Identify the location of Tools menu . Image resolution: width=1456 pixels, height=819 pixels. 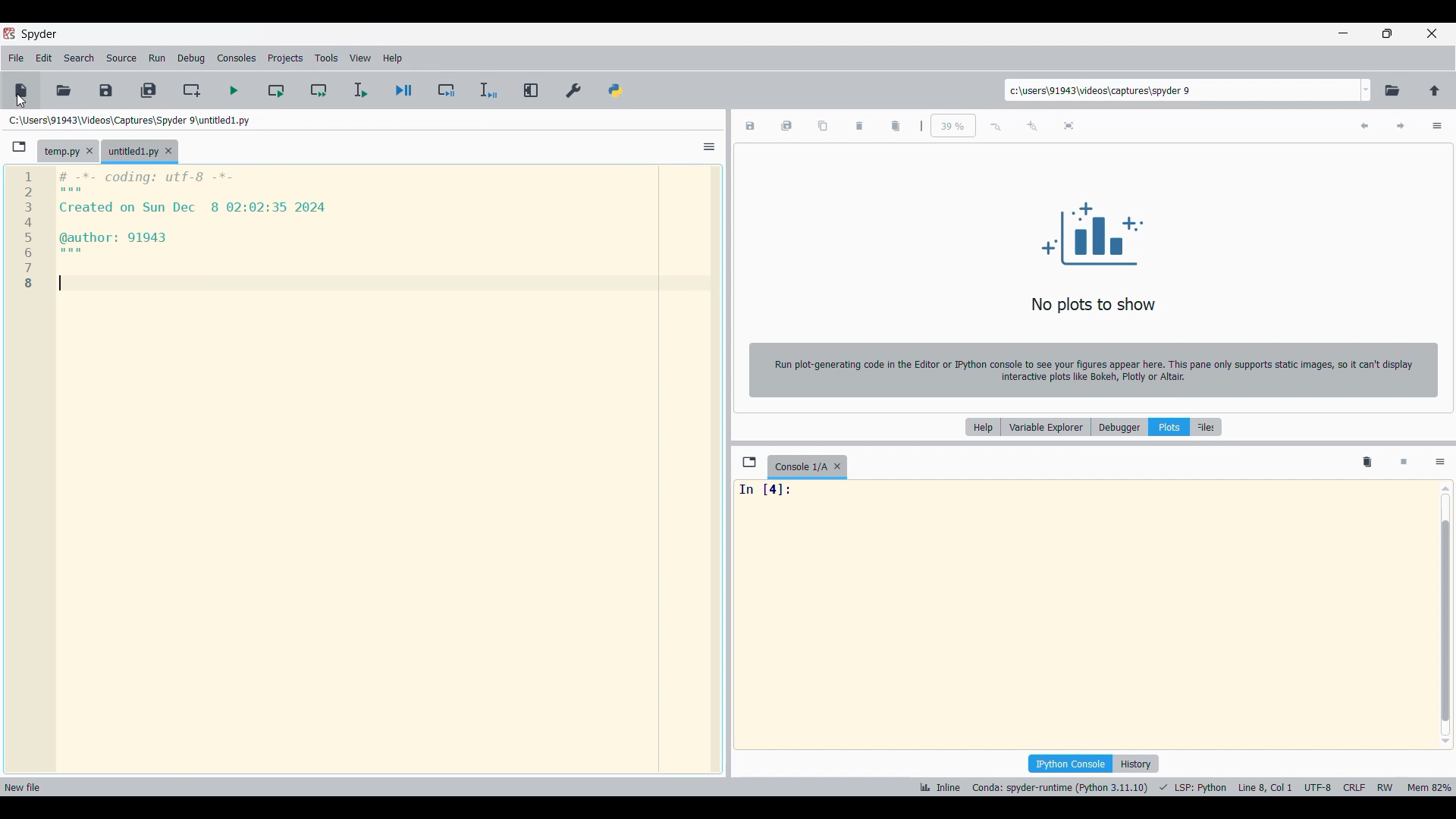
(326, 58).